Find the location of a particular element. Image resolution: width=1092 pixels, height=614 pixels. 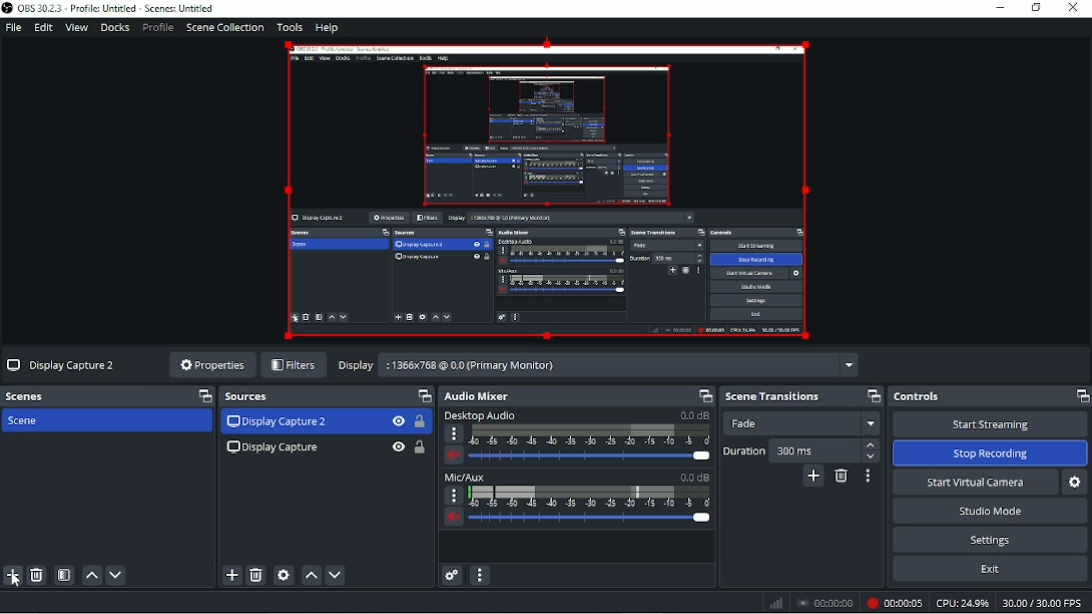

Remove selected source(s) is located at coordinates (255, 575).